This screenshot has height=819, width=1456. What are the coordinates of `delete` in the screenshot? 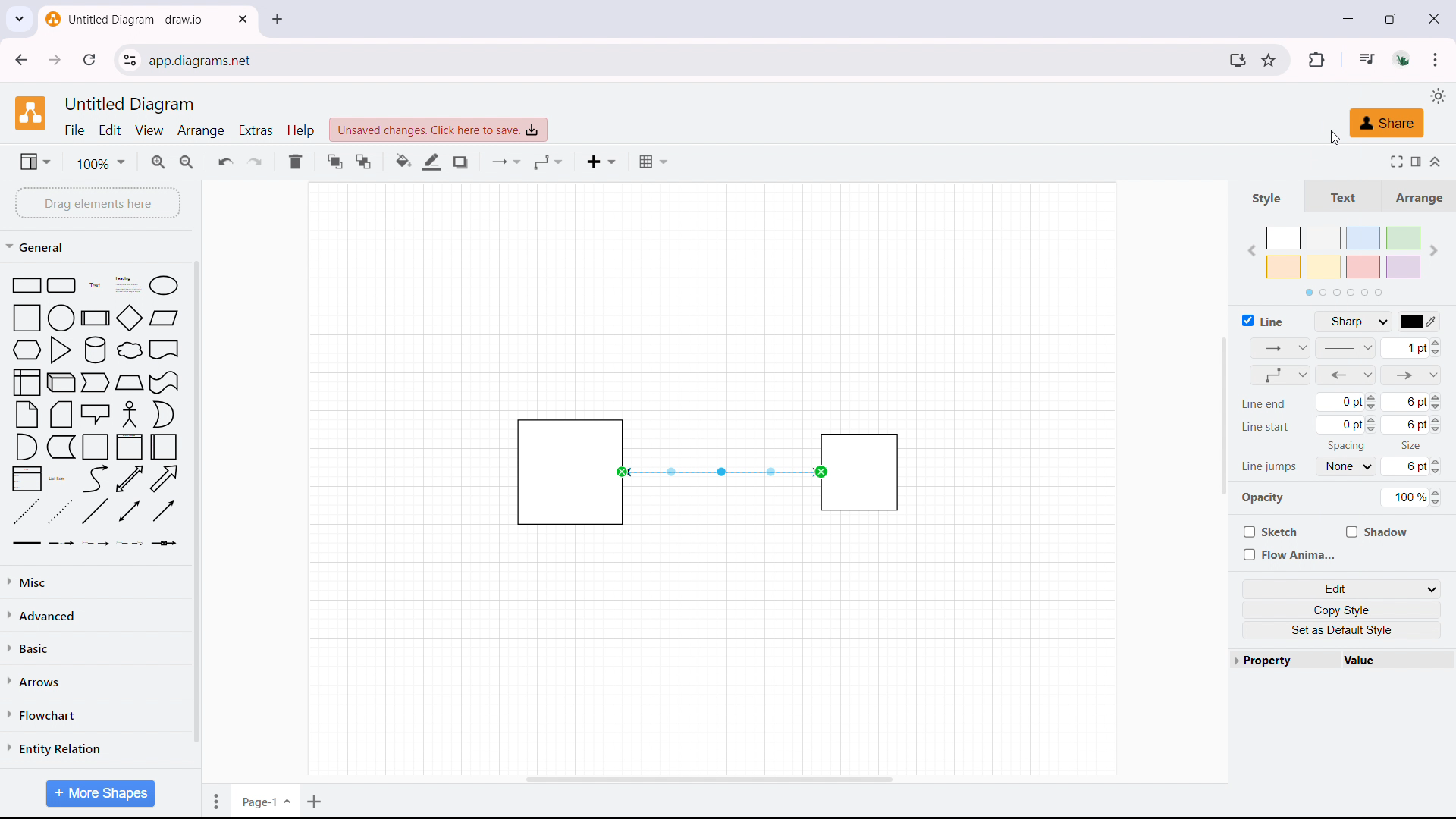 It's located at (295, 162).